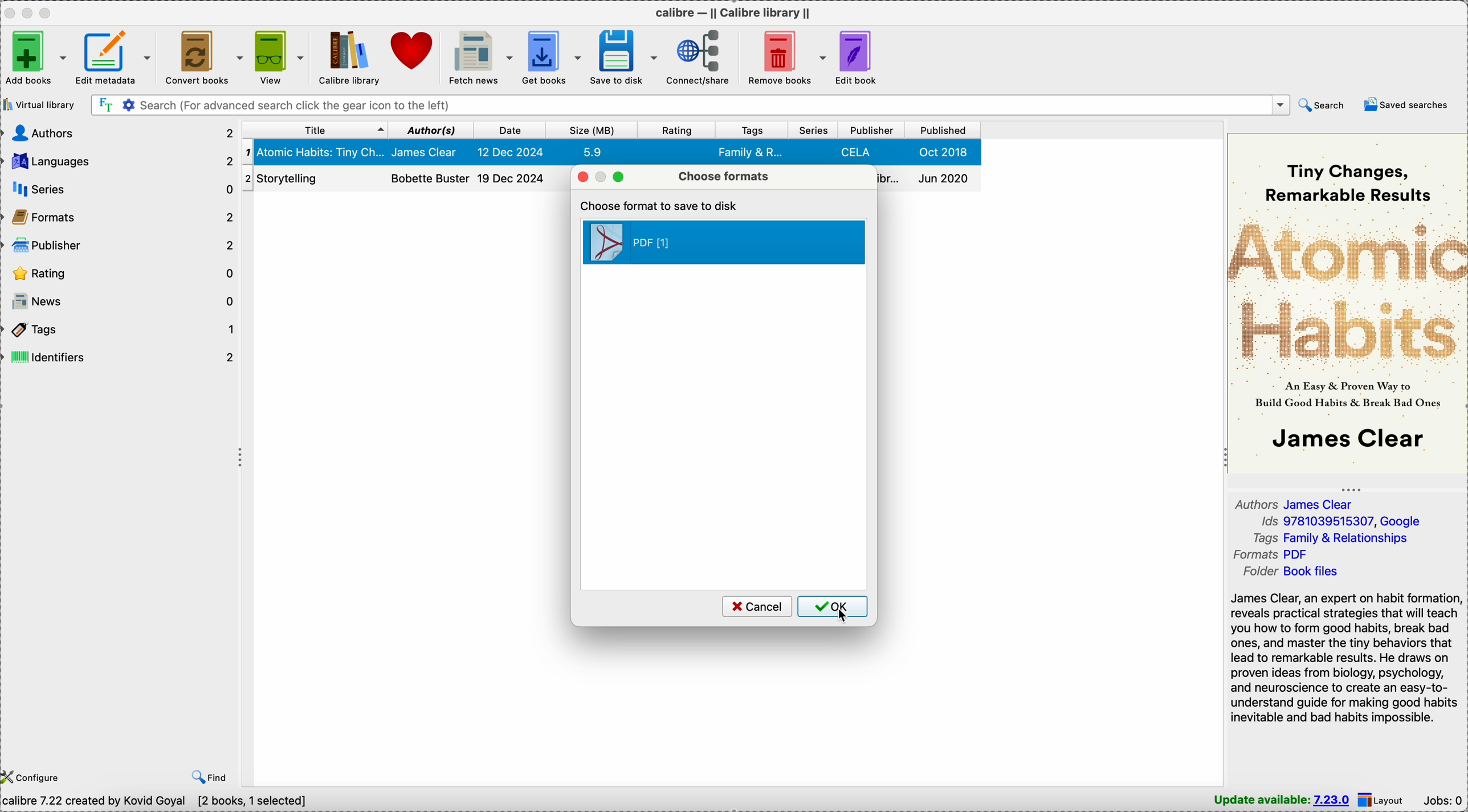 The image size is (1468, 812). I want to click on cursor, so click(844, 619).